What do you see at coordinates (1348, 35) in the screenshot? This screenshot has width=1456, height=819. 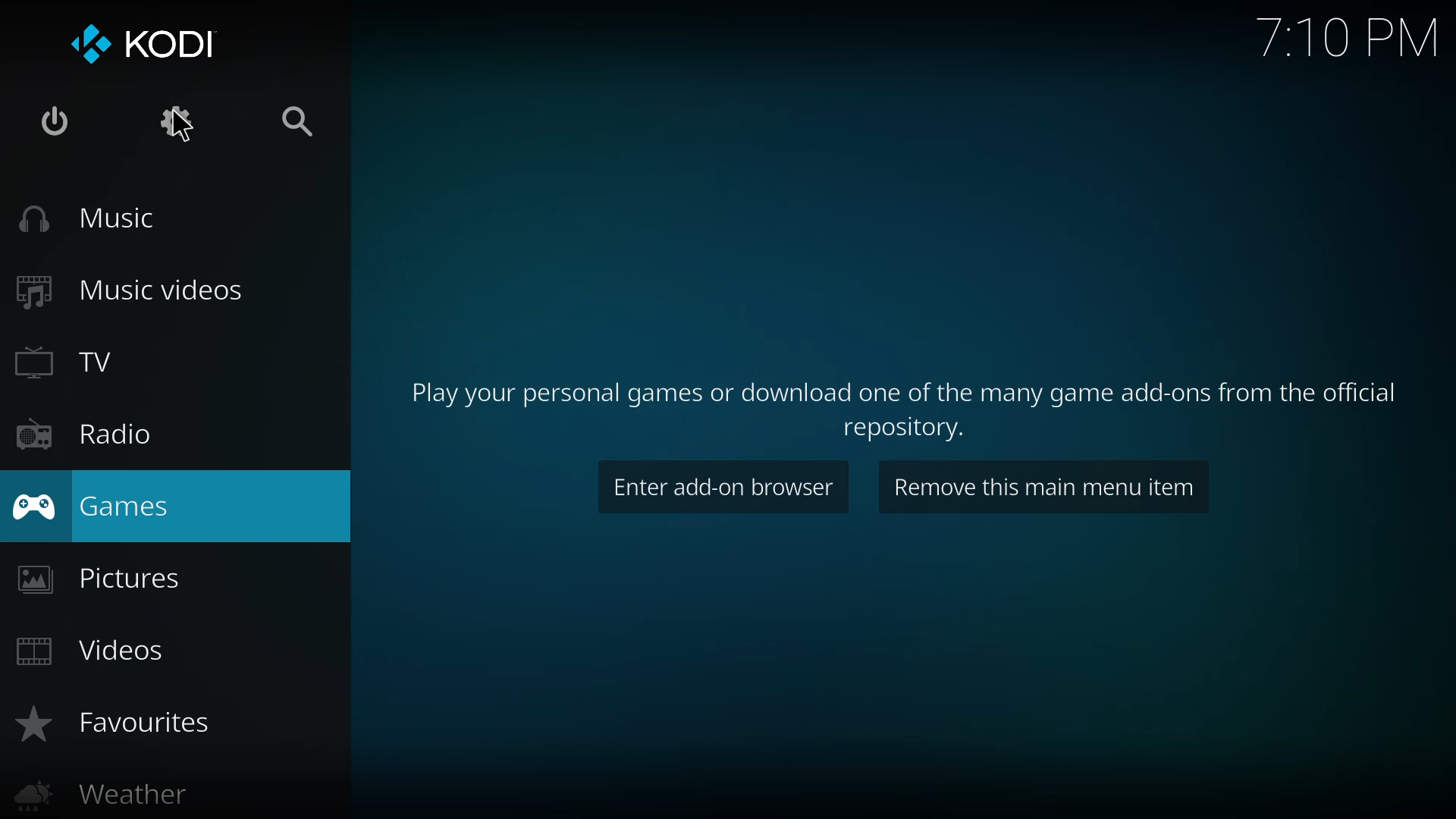 I see `time` at bounding box center [1348, 35].